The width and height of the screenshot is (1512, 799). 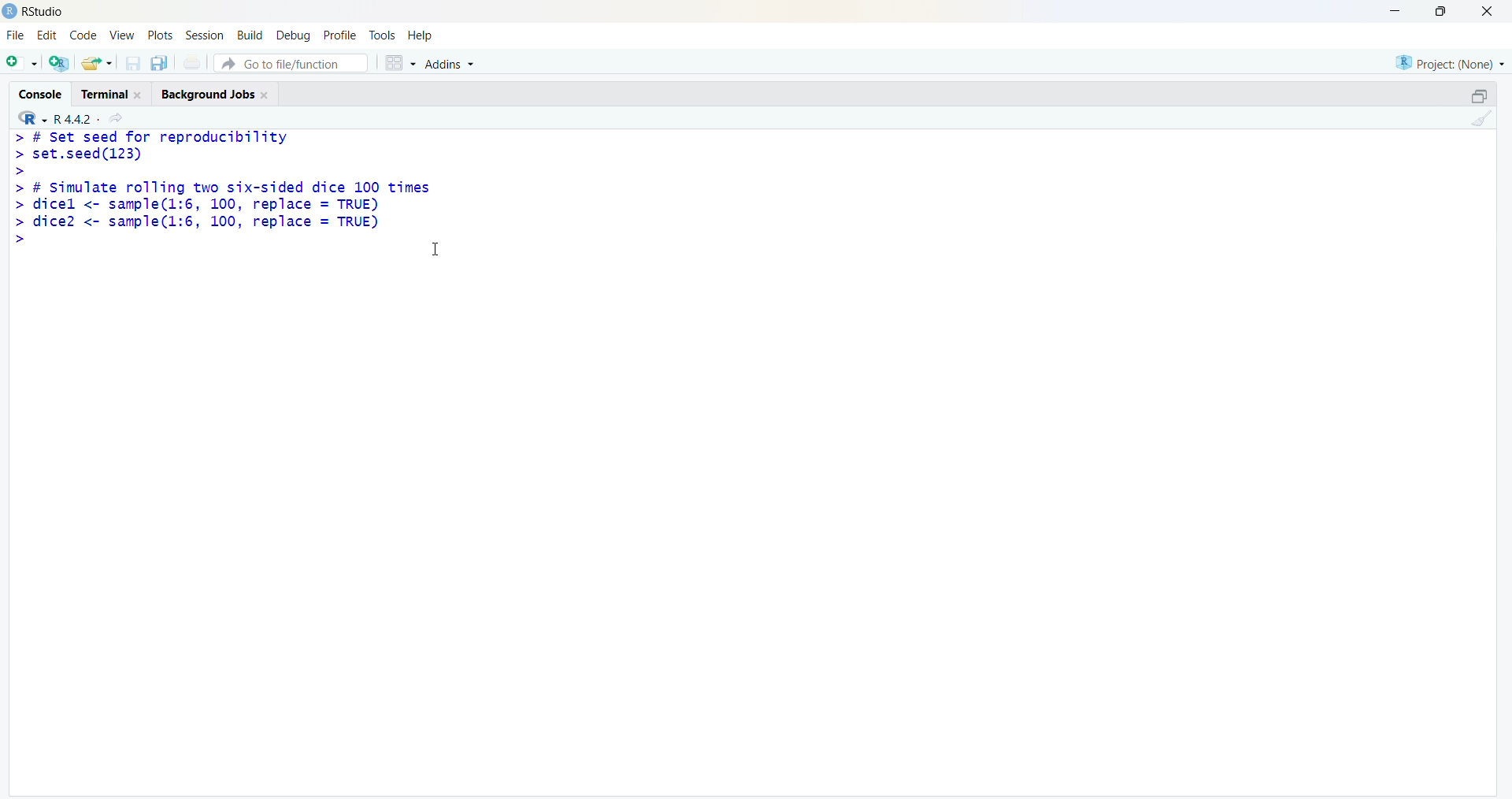 I want to click on open in separate window, so click(x=1480, y=96).